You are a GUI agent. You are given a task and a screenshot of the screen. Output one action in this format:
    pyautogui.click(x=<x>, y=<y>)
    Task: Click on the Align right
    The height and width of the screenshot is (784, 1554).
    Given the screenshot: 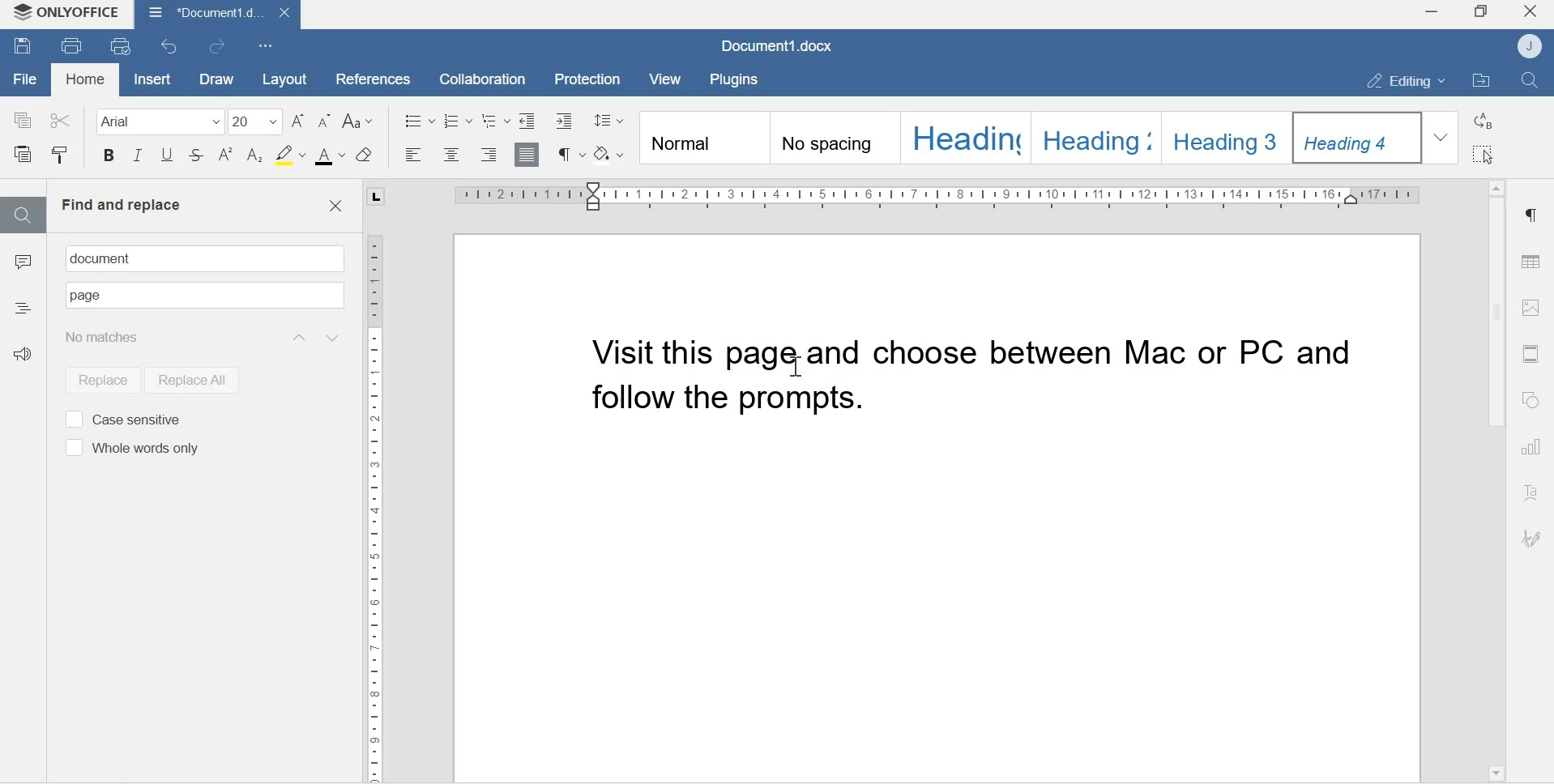 What is the action you would take?
    pyautogui.click(x=489, y=155)
    